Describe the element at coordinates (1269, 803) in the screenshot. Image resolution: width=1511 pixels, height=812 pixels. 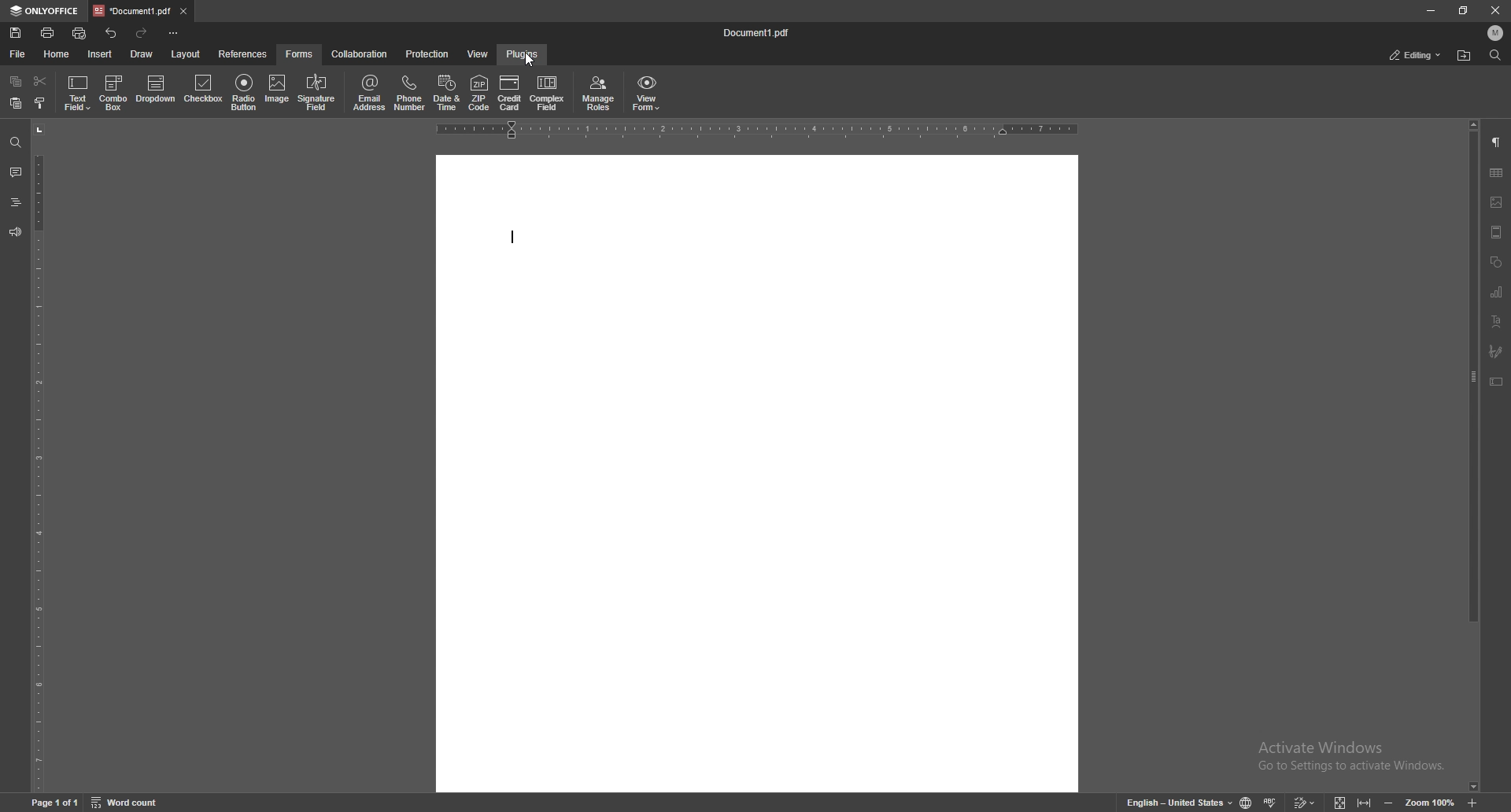
I see `spell check` at that location.